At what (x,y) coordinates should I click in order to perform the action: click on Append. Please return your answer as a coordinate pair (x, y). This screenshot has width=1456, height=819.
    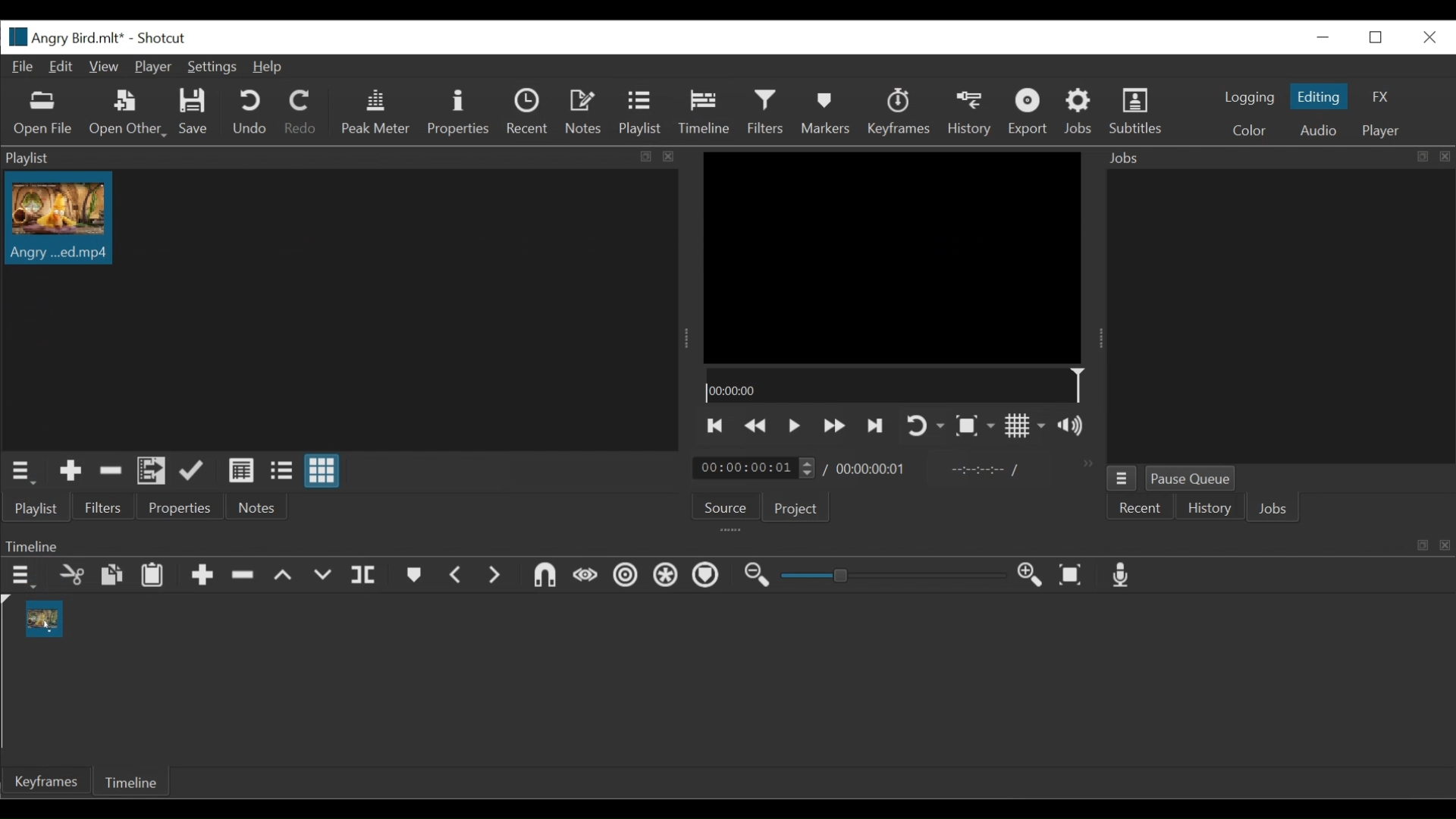
    Looking at the image, I should click on (194, 472).